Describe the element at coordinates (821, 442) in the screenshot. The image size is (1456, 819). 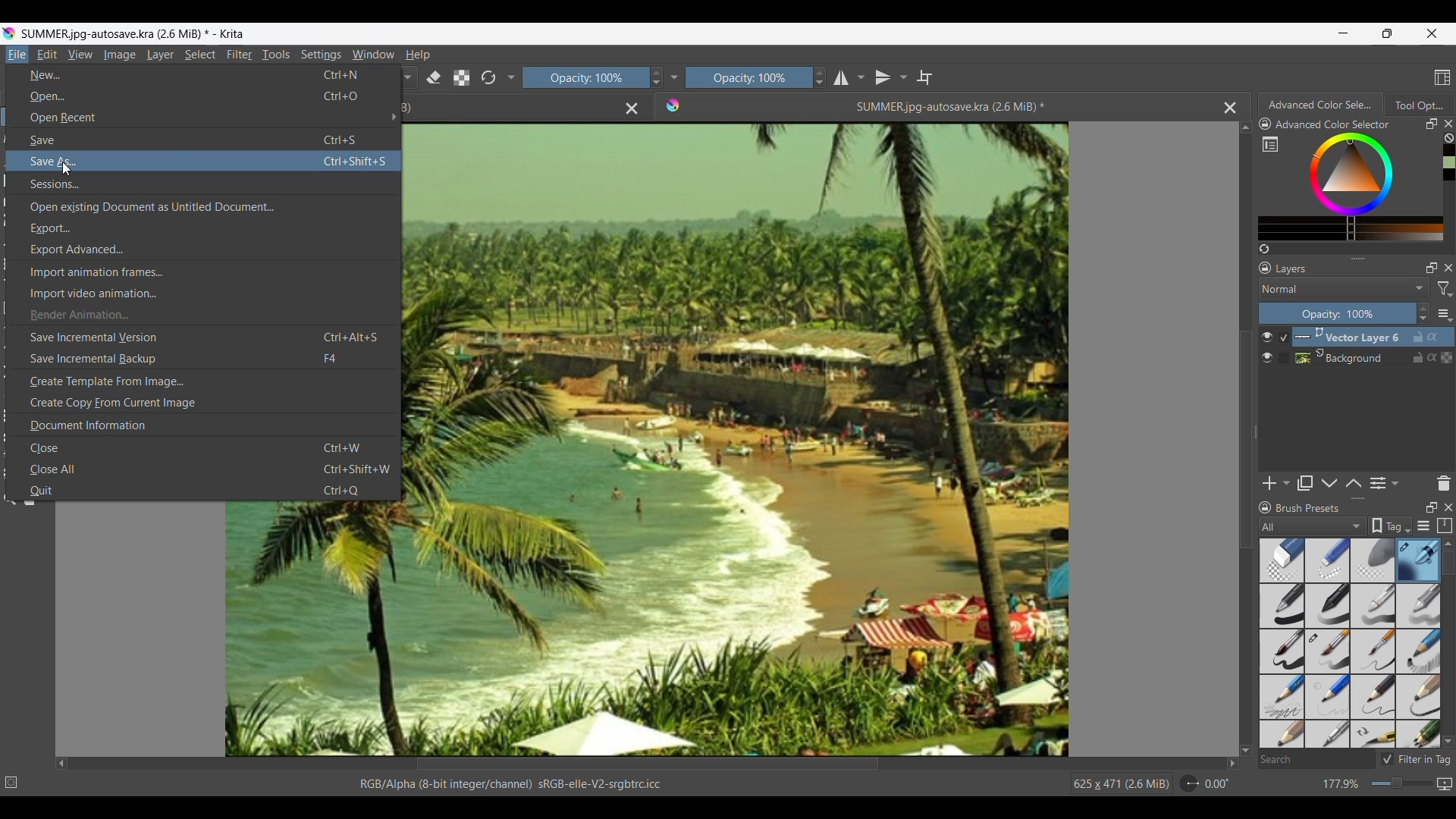
I see `Image/Artwork space` at that location.